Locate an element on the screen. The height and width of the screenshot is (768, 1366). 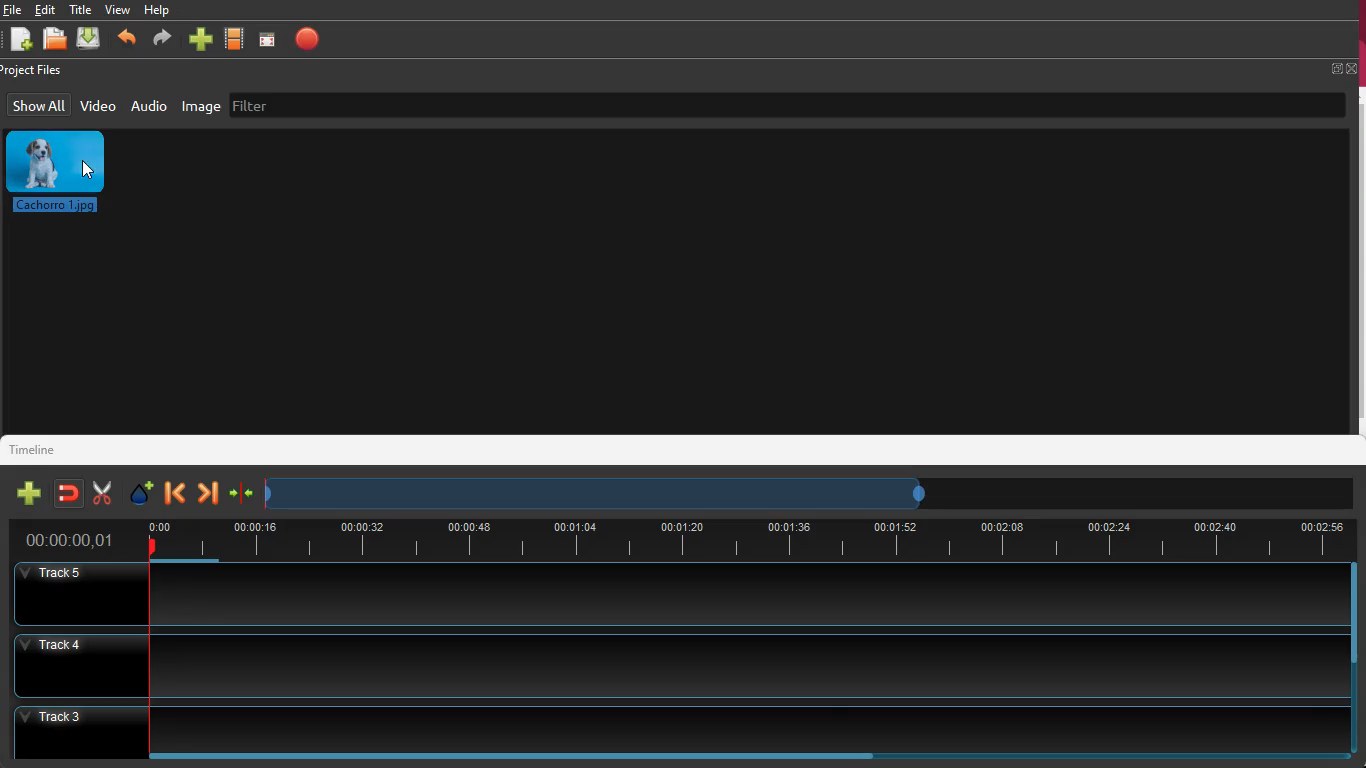
effect is located at coordinates (140, 492).